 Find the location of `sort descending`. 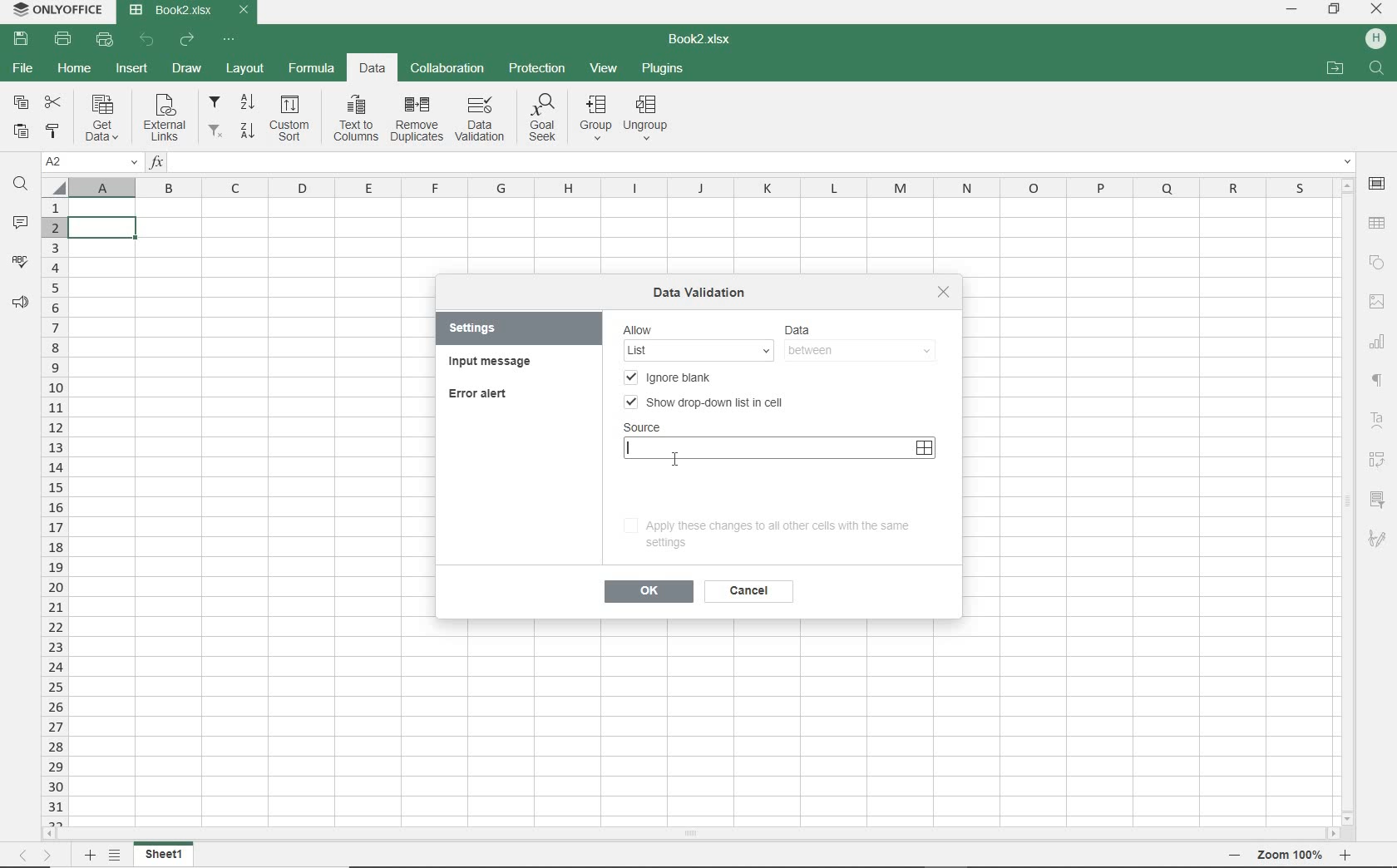

sort descending is located at coordinates (248, 133).